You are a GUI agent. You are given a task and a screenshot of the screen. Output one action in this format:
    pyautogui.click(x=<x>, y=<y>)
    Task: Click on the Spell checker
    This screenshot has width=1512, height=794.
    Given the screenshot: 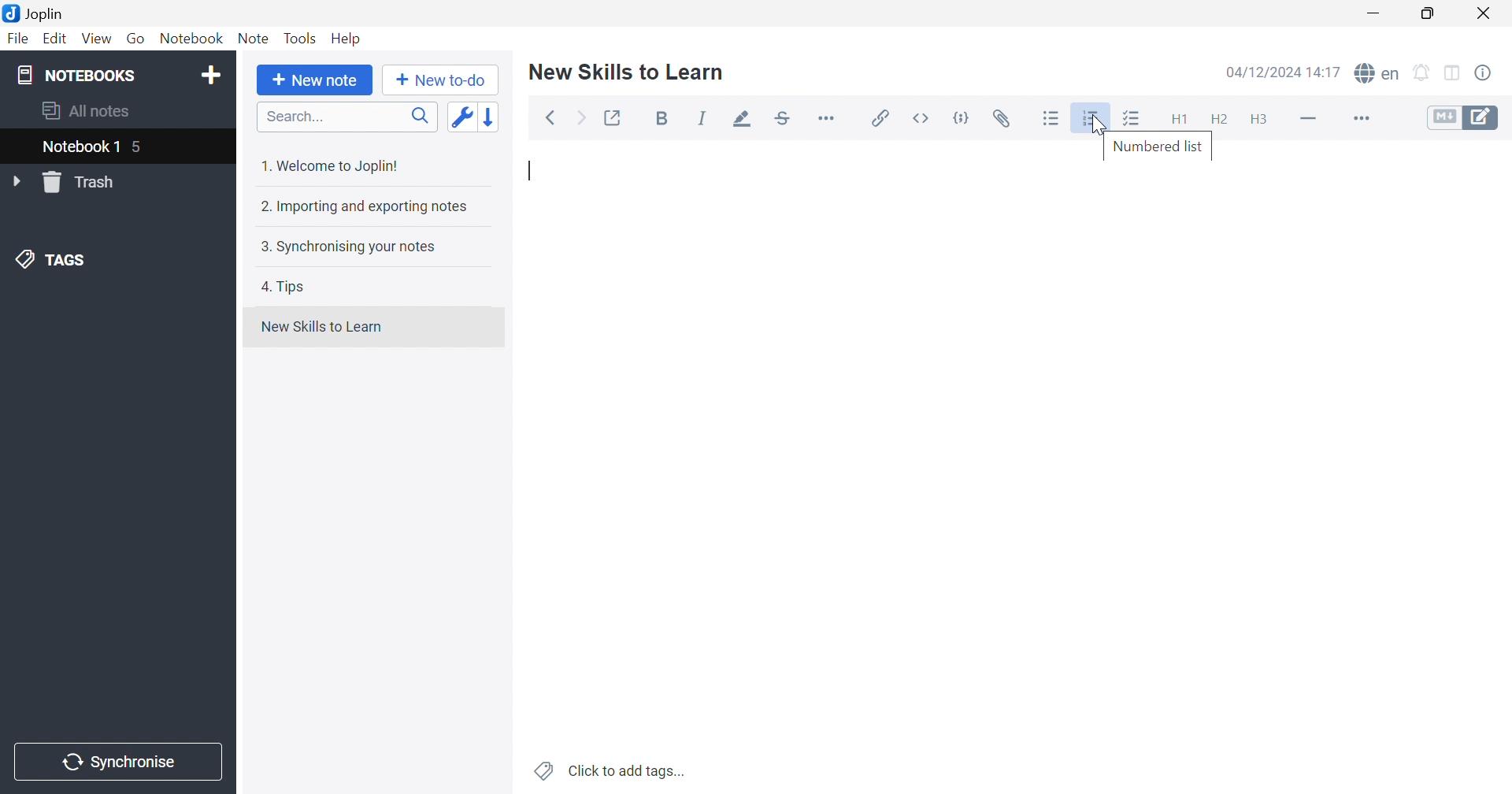 What is the action you would take?
    pyautogui.click(x=1376, y=72)
    